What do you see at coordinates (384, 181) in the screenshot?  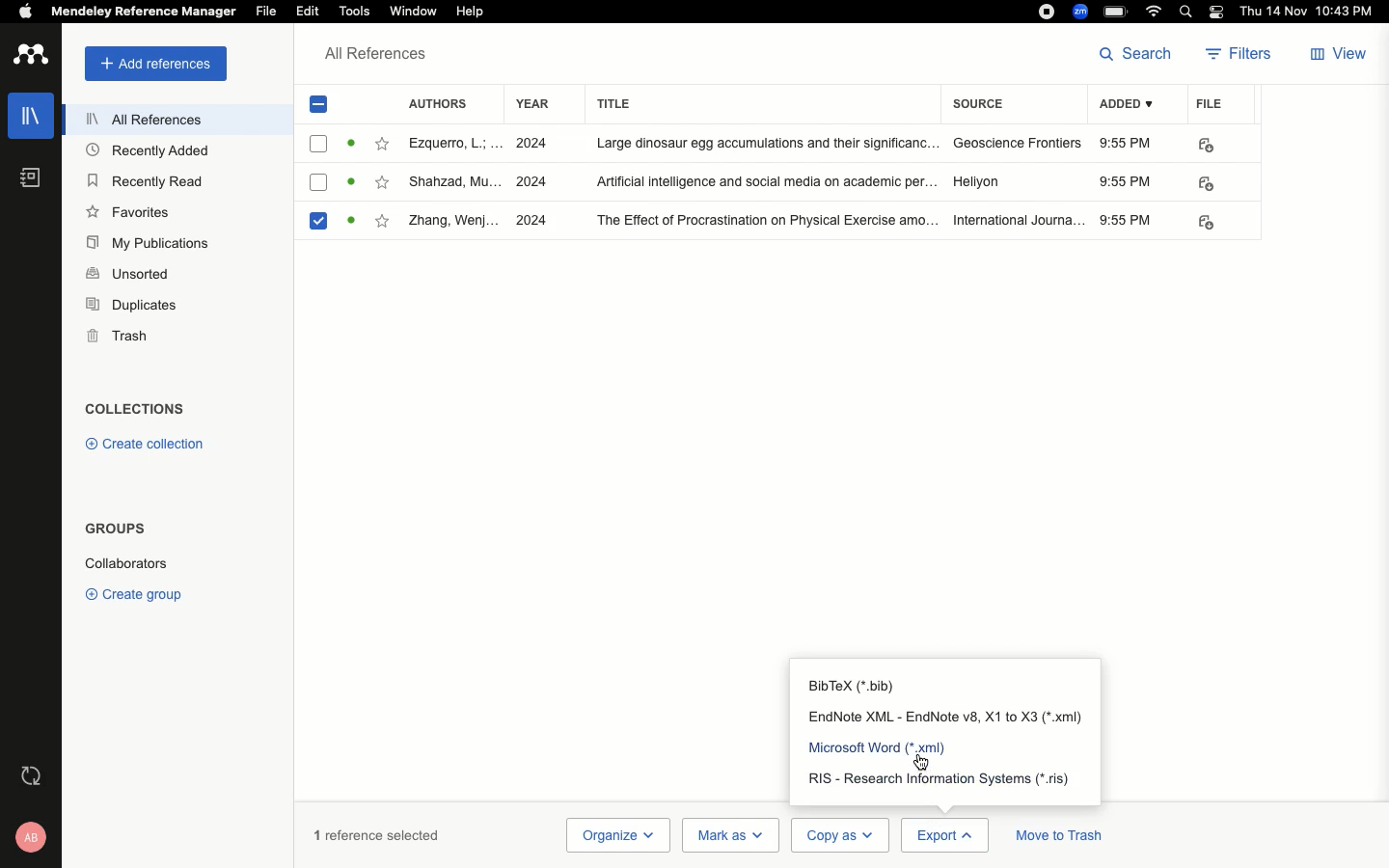 I see `favourite` at bounding box center [384, 181].